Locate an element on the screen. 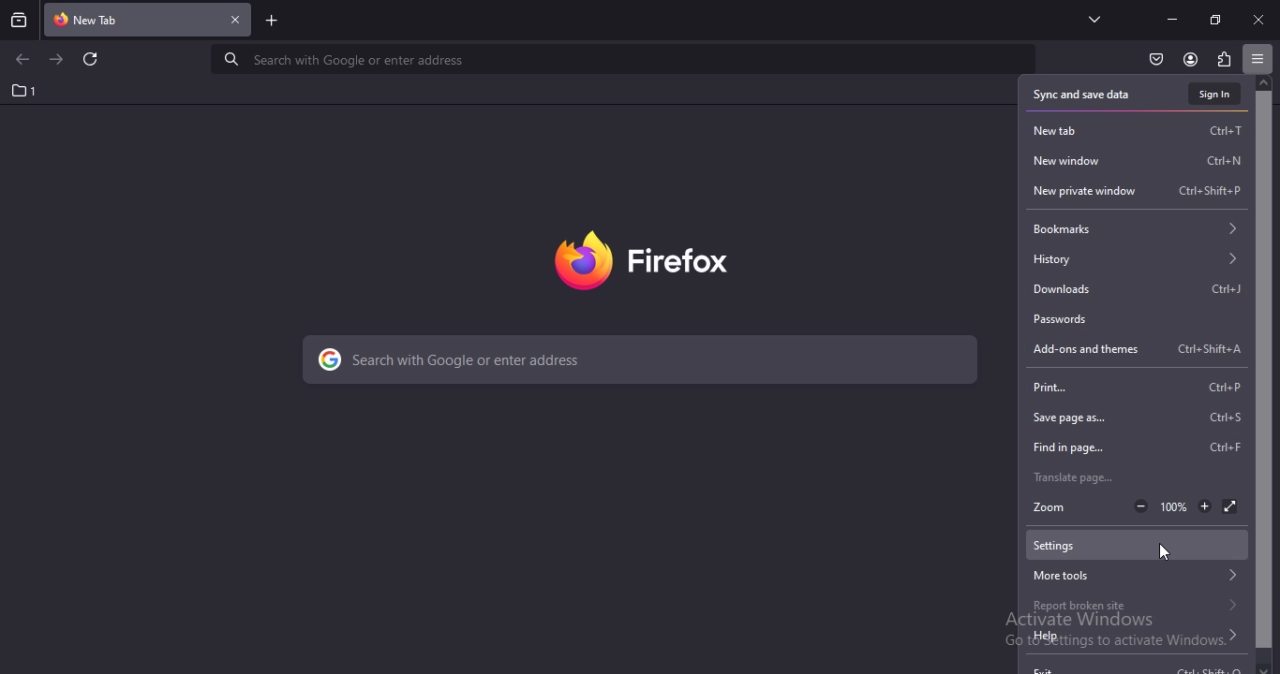 The height and width of the screenshot is (674, 1280). reload current page is located at coordinates (89, 59).